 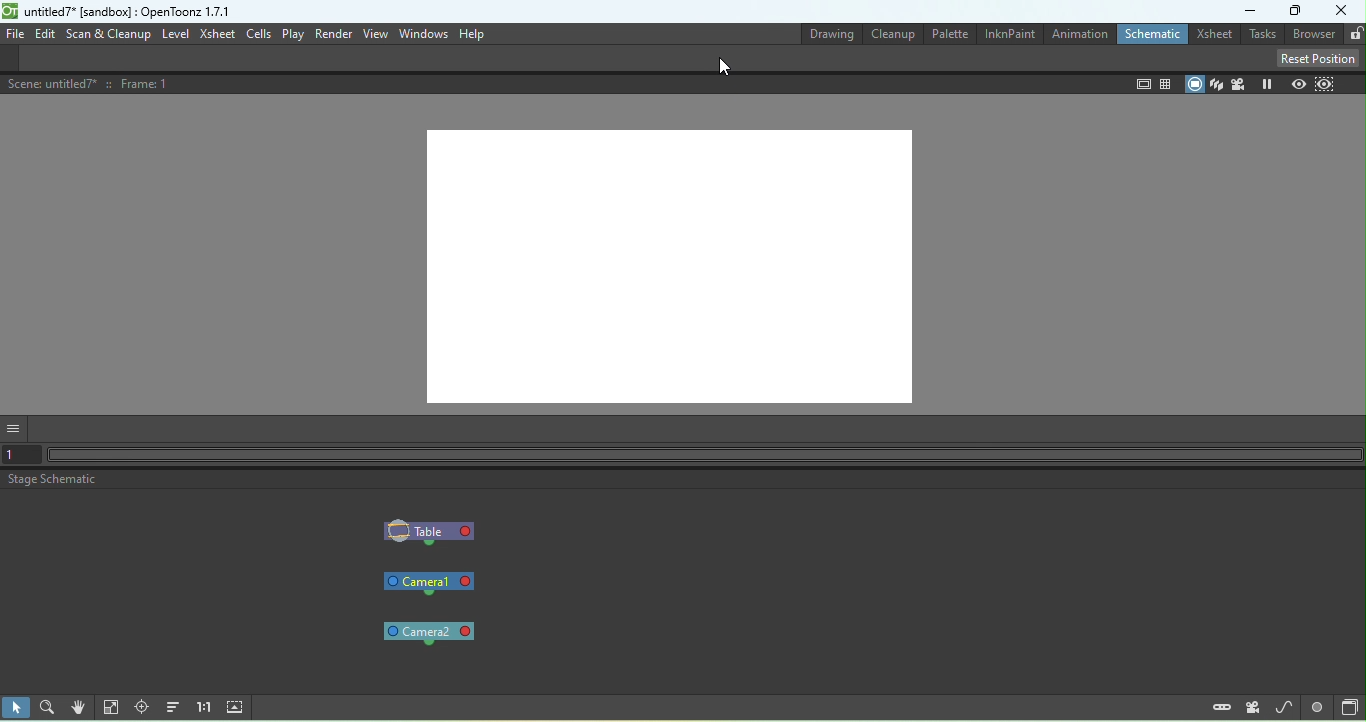 I want to click on Palette, so click(x=949, y=34).